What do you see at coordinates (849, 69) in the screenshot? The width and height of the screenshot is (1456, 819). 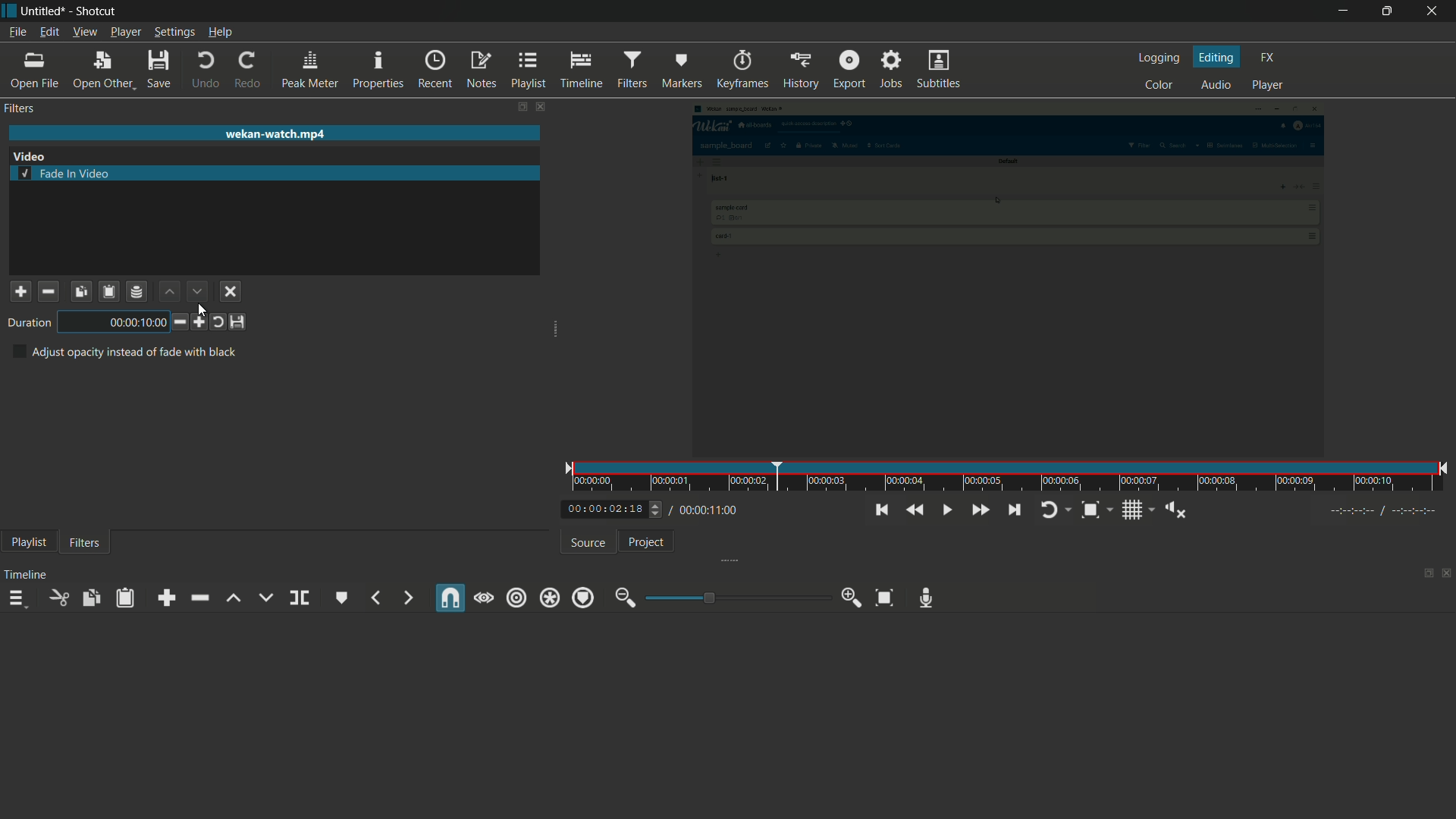 I see `export` at bounding box center [849, 69].